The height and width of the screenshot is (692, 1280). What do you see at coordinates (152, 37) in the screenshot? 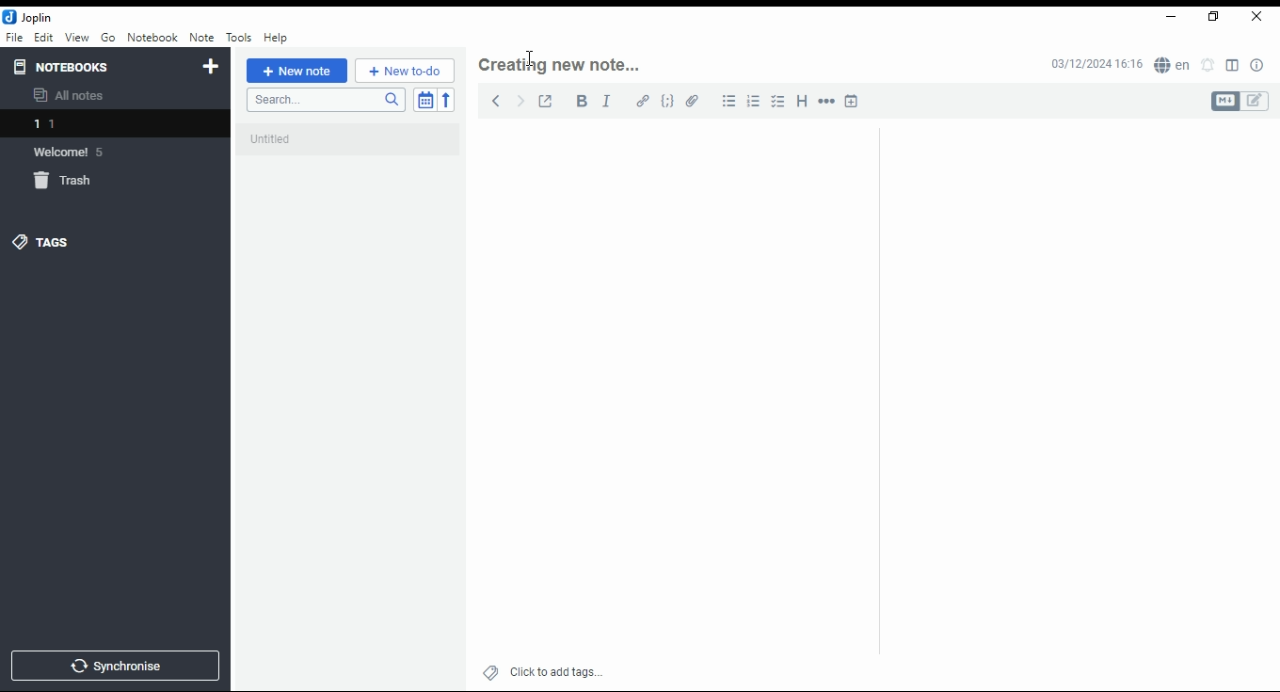
I see `notebook` at bounding box center [152, 37].